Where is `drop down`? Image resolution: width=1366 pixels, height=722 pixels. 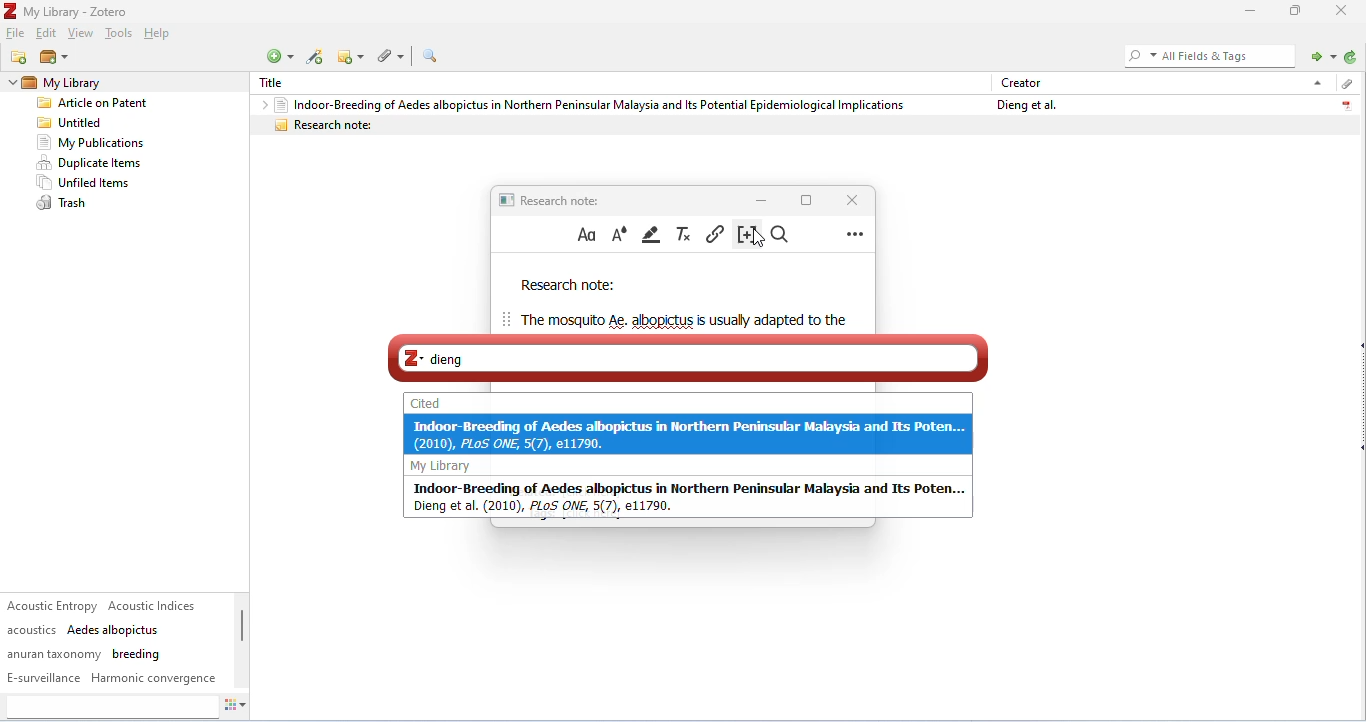 drop down is located at coordinates (1315, 82).